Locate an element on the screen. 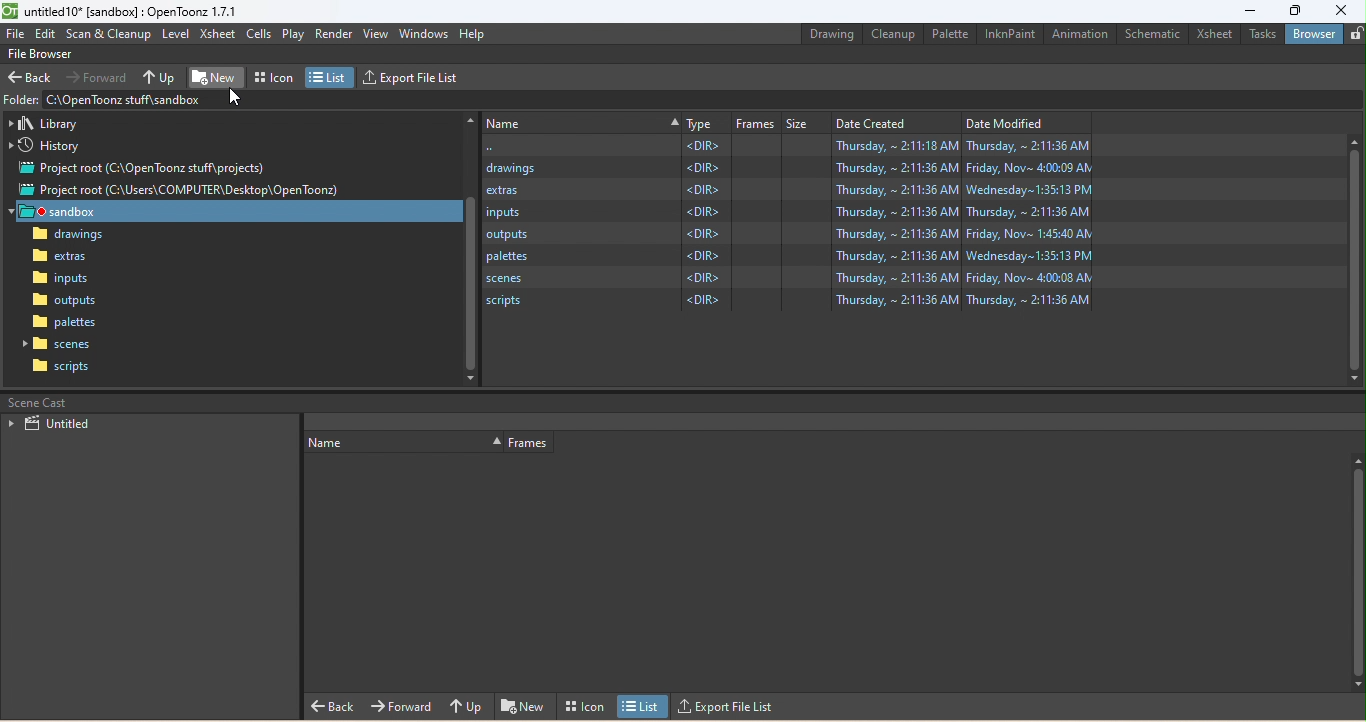  Forward is located at coordinates (402, 705).